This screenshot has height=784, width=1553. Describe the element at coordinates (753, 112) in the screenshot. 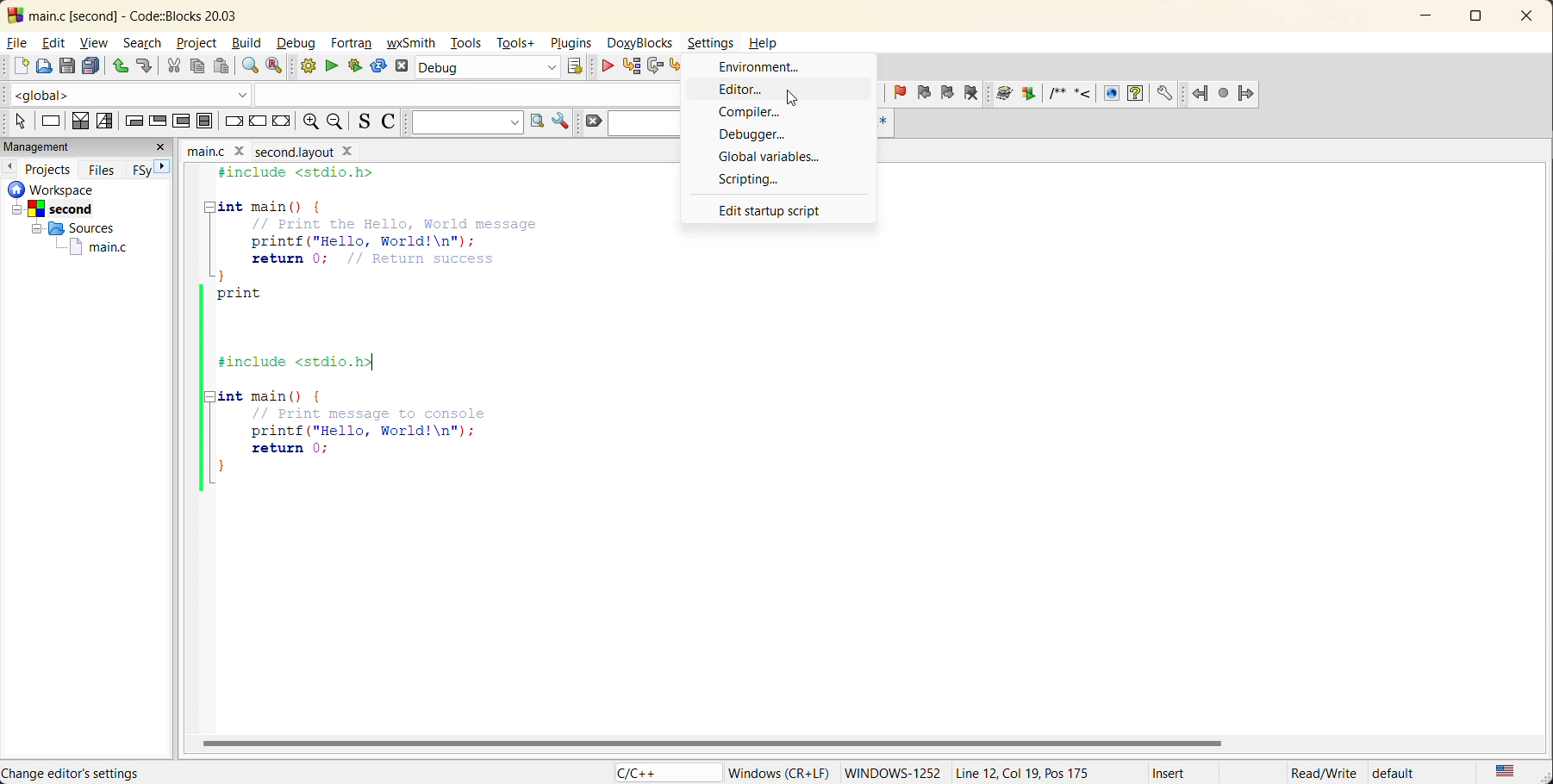

I see `compiler` at that location.